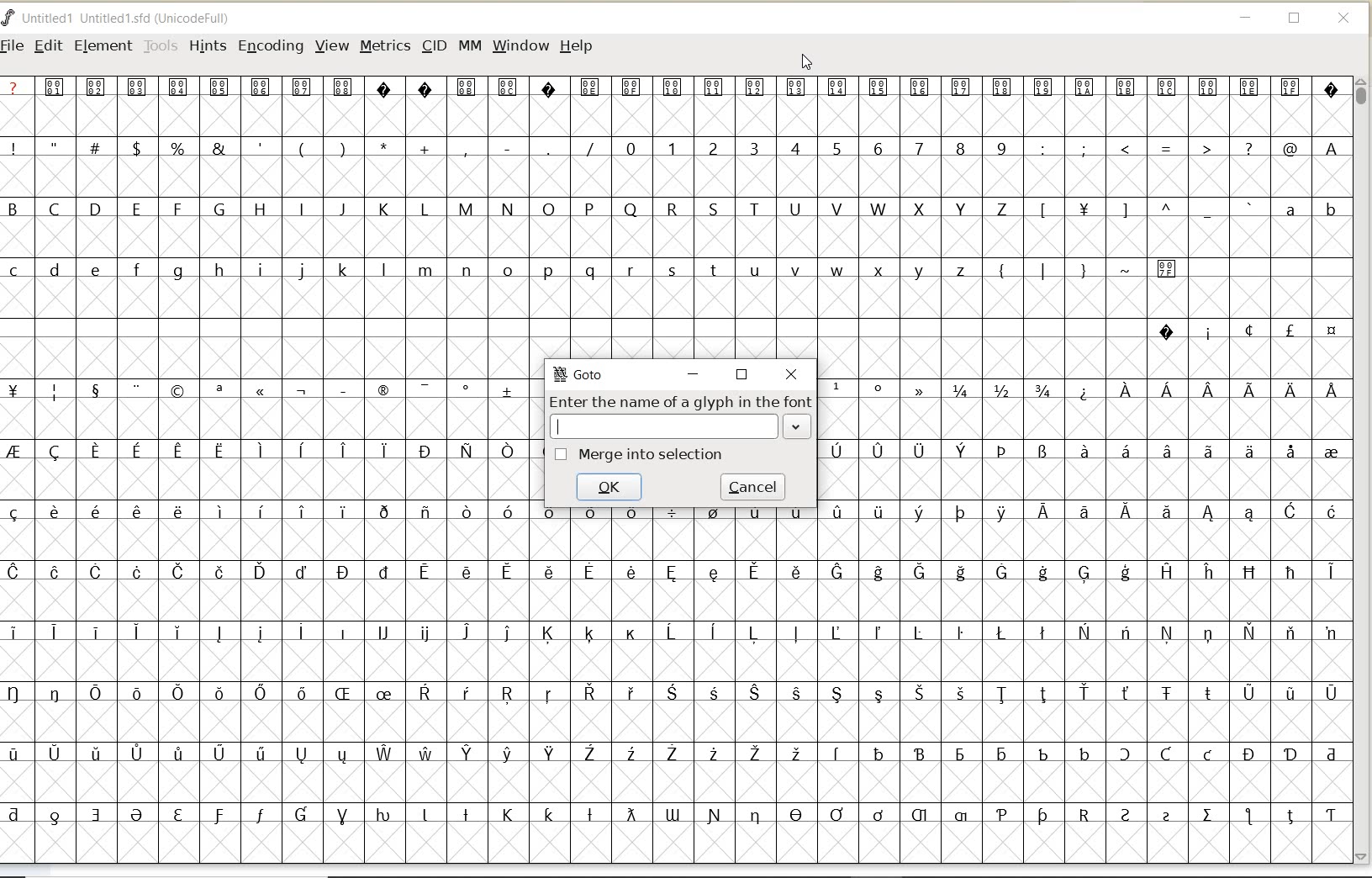  What do you see at coordinates (131, 19) in the screenshot?
I see `FONT NAME` at bounding box center [131, 19].